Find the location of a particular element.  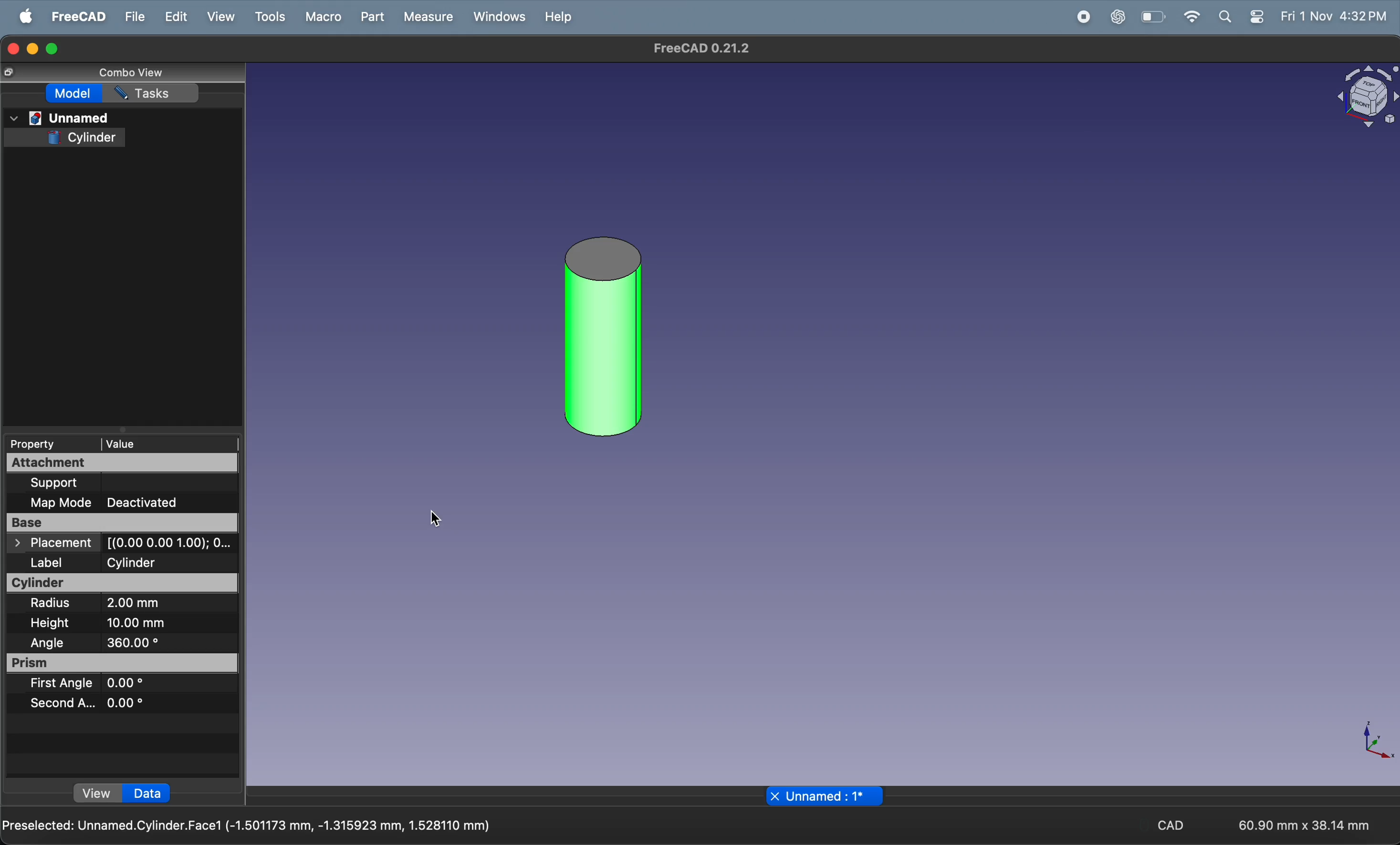

stop is located at coordinates (1039, 17).